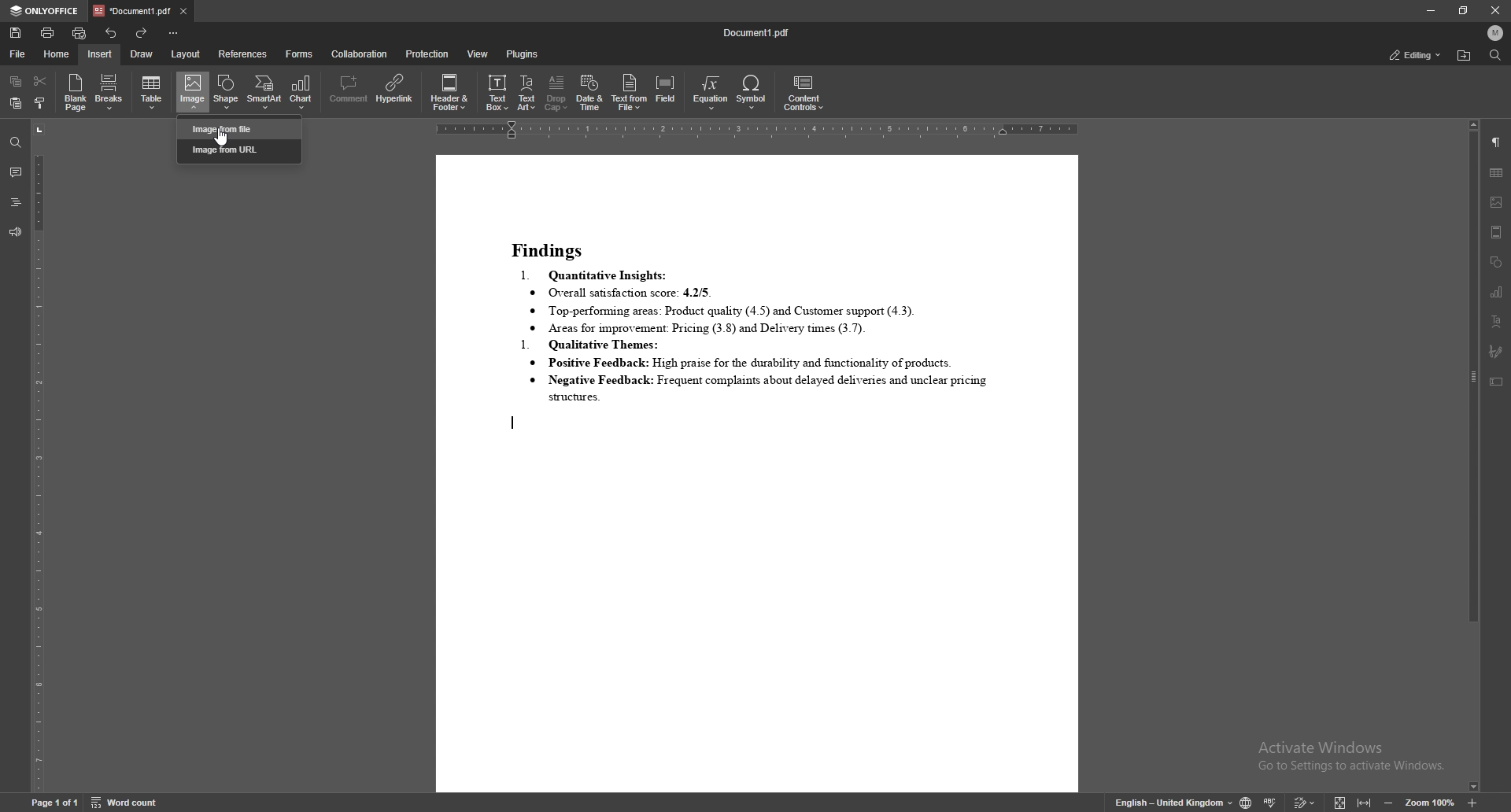 The width and height of the screenshot is (1511, 812). Describe the element at coordinates (349, 90) in the screenshot. I see `comment` at that location.